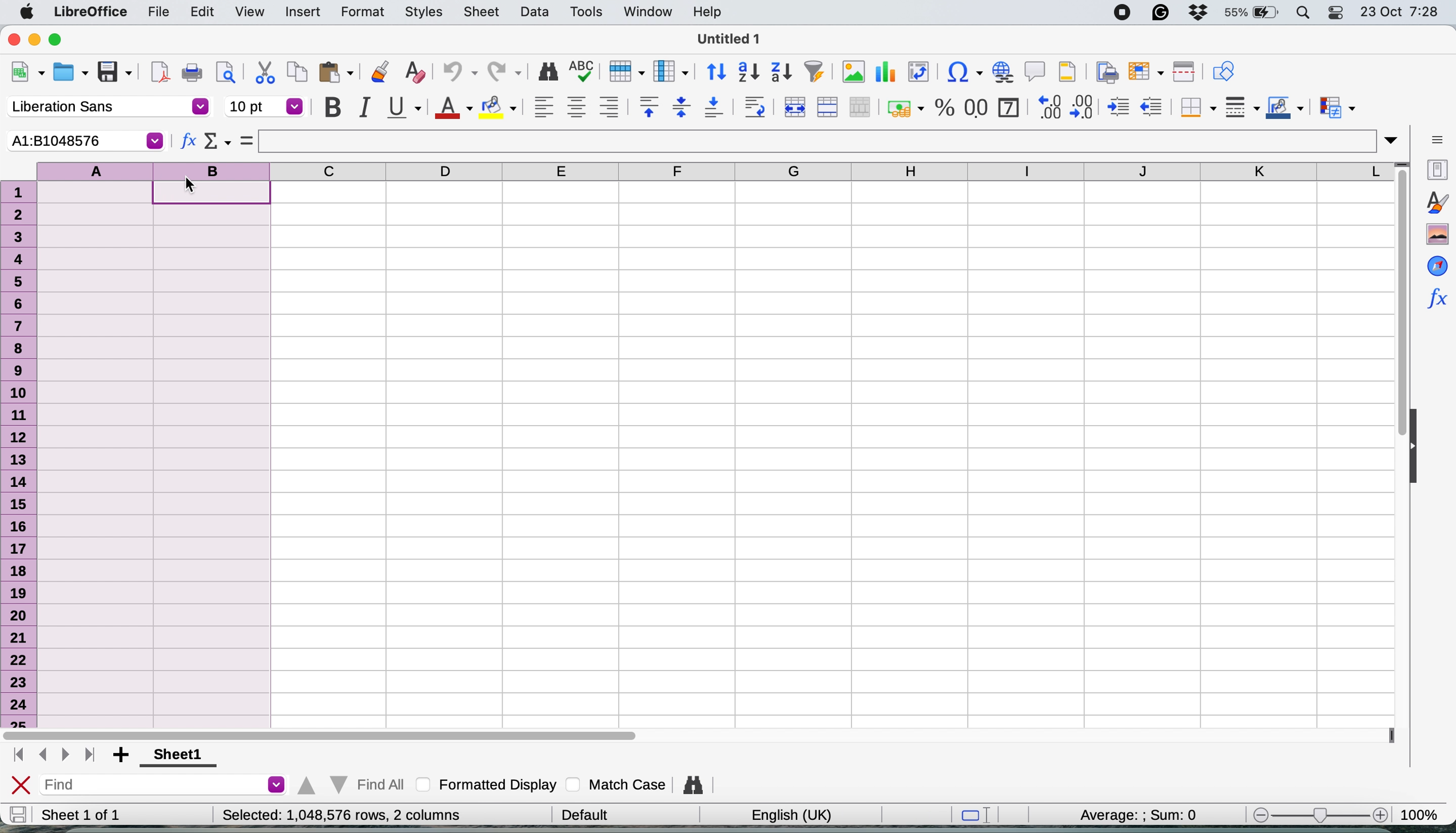  Describe the element at coordinates (1434, 264) in the screenshot. I see `navigator` at that location.